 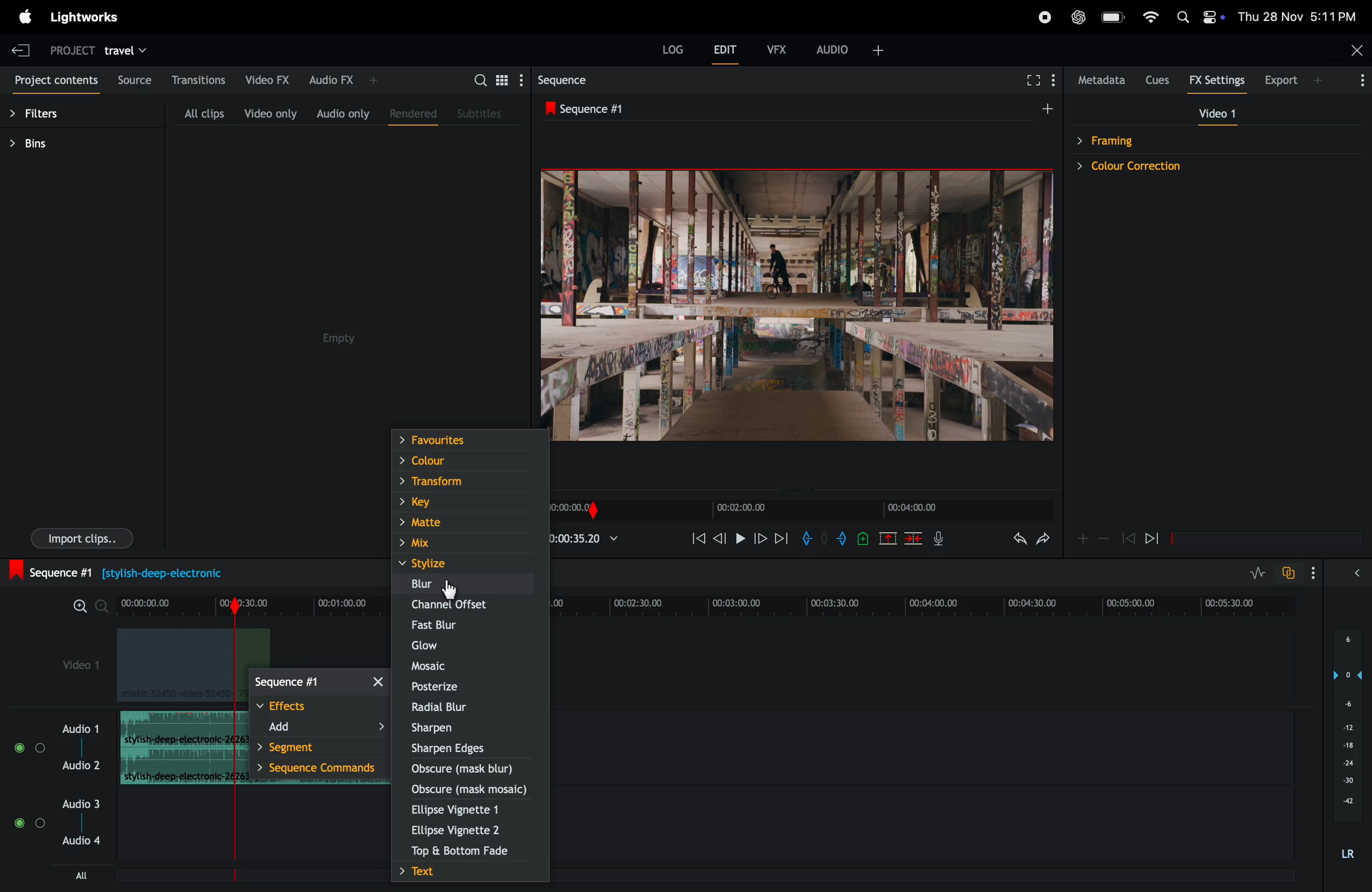 I want to click on apple menu, so click(x=24, y=16).